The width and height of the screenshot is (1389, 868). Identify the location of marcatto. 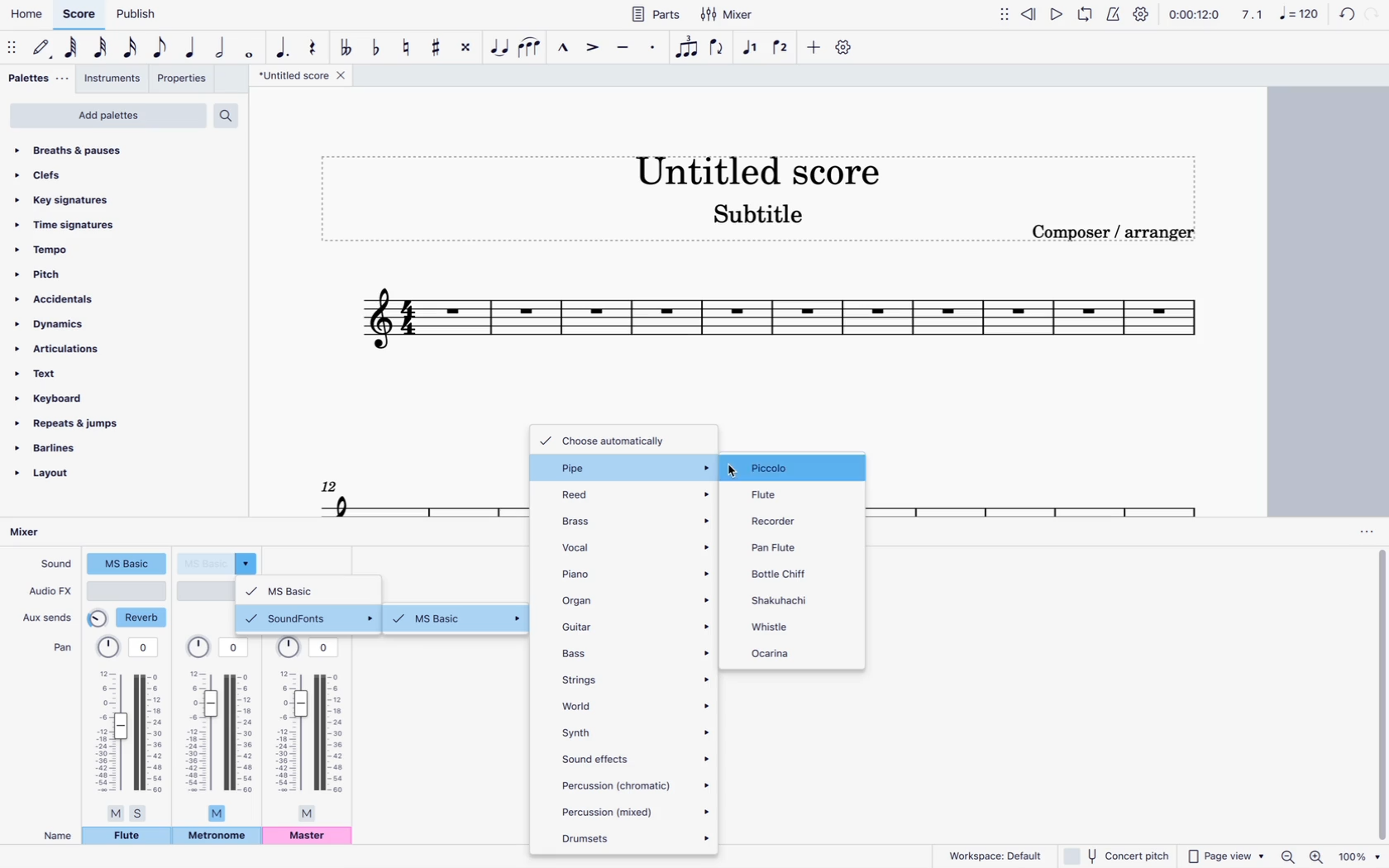
(563, 49).